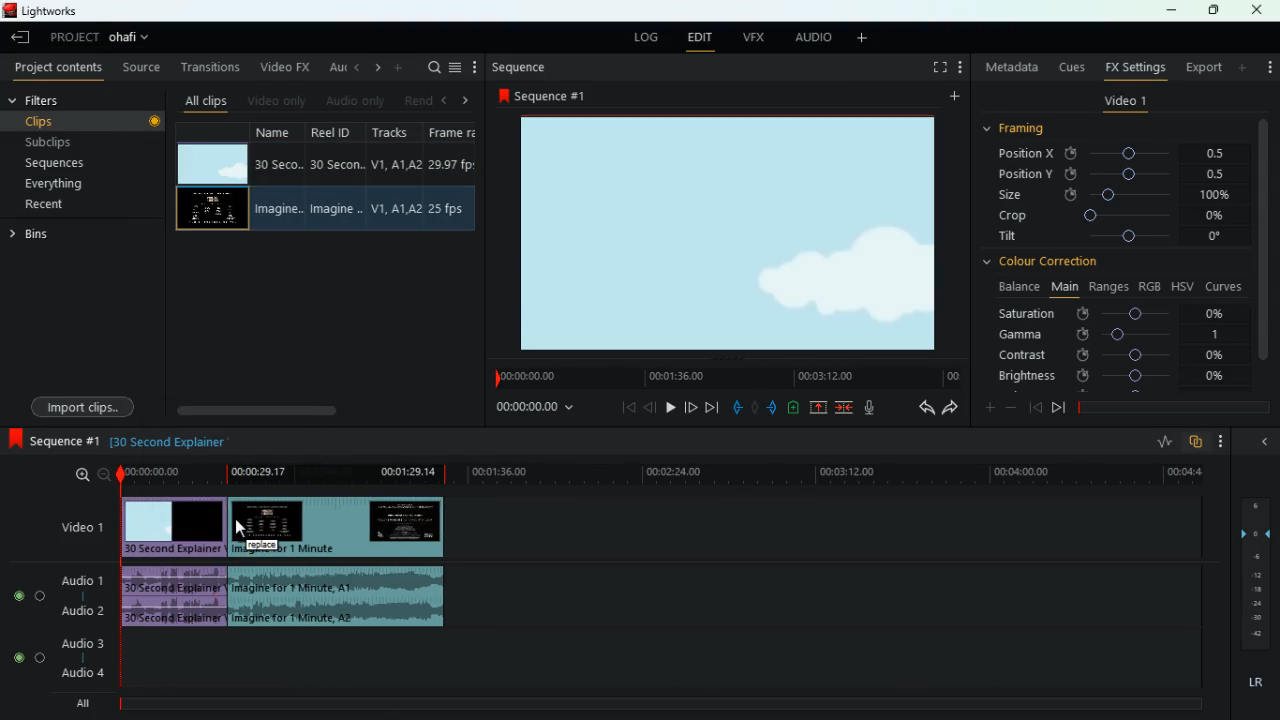 Image resolution: width=1280 pixels, height=720 pixels. What do you see at coordinates (175, 441) in the screenshot?
I see `explanation` at bounding box center [175, 441].